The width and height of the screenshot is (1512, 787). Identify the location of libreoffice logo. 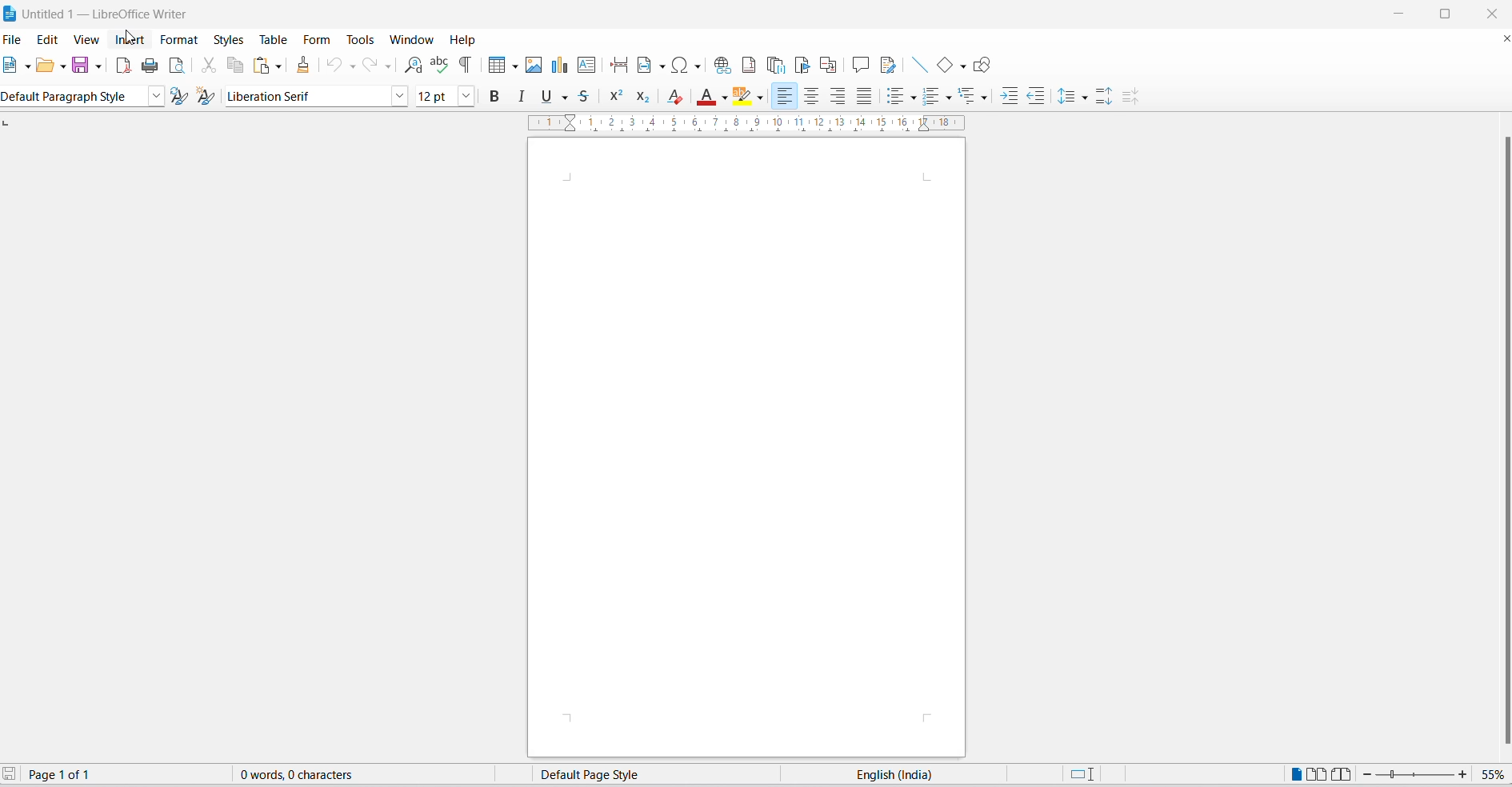
(11, 12).